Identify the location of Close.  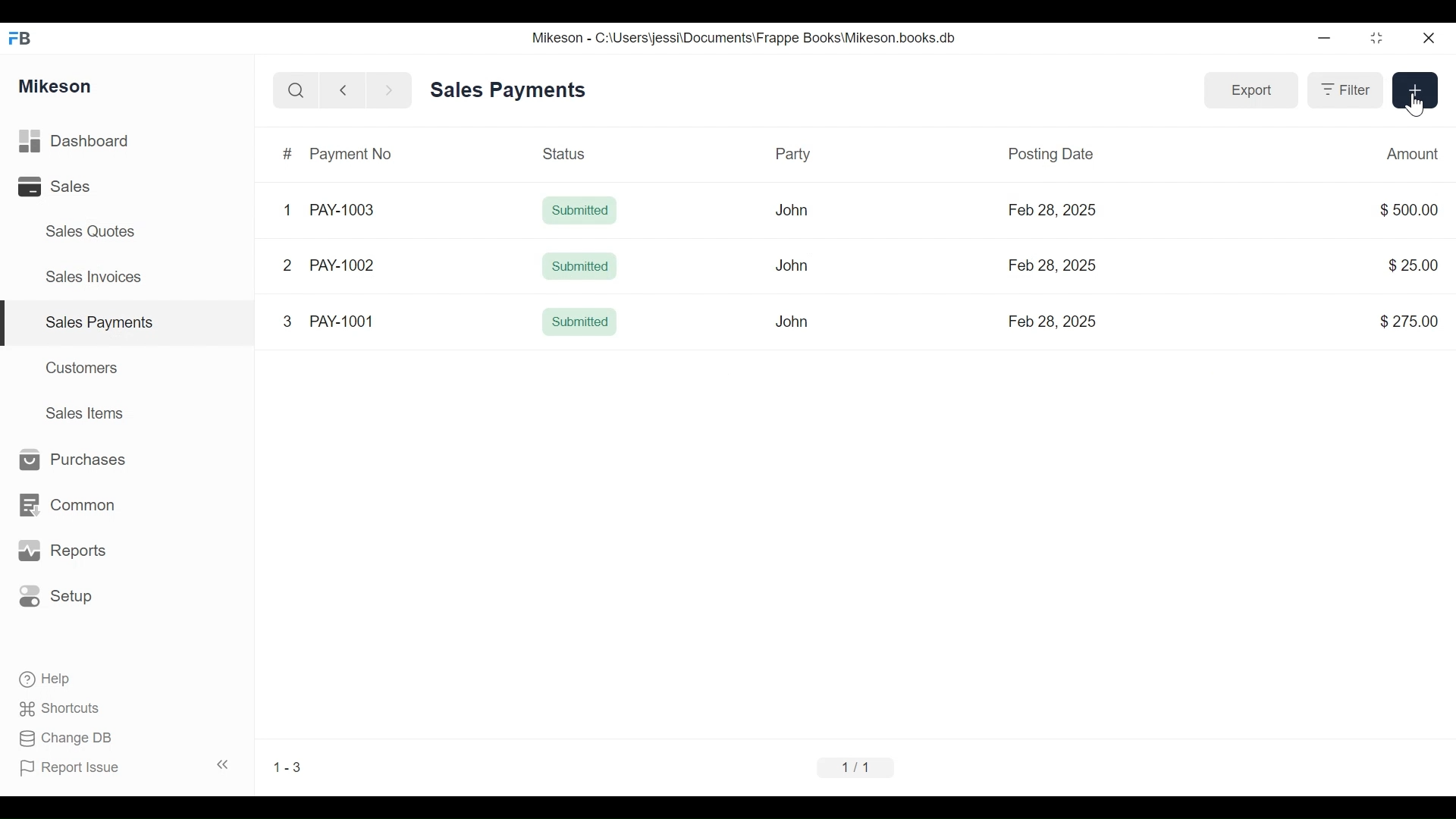
(1426, 36).